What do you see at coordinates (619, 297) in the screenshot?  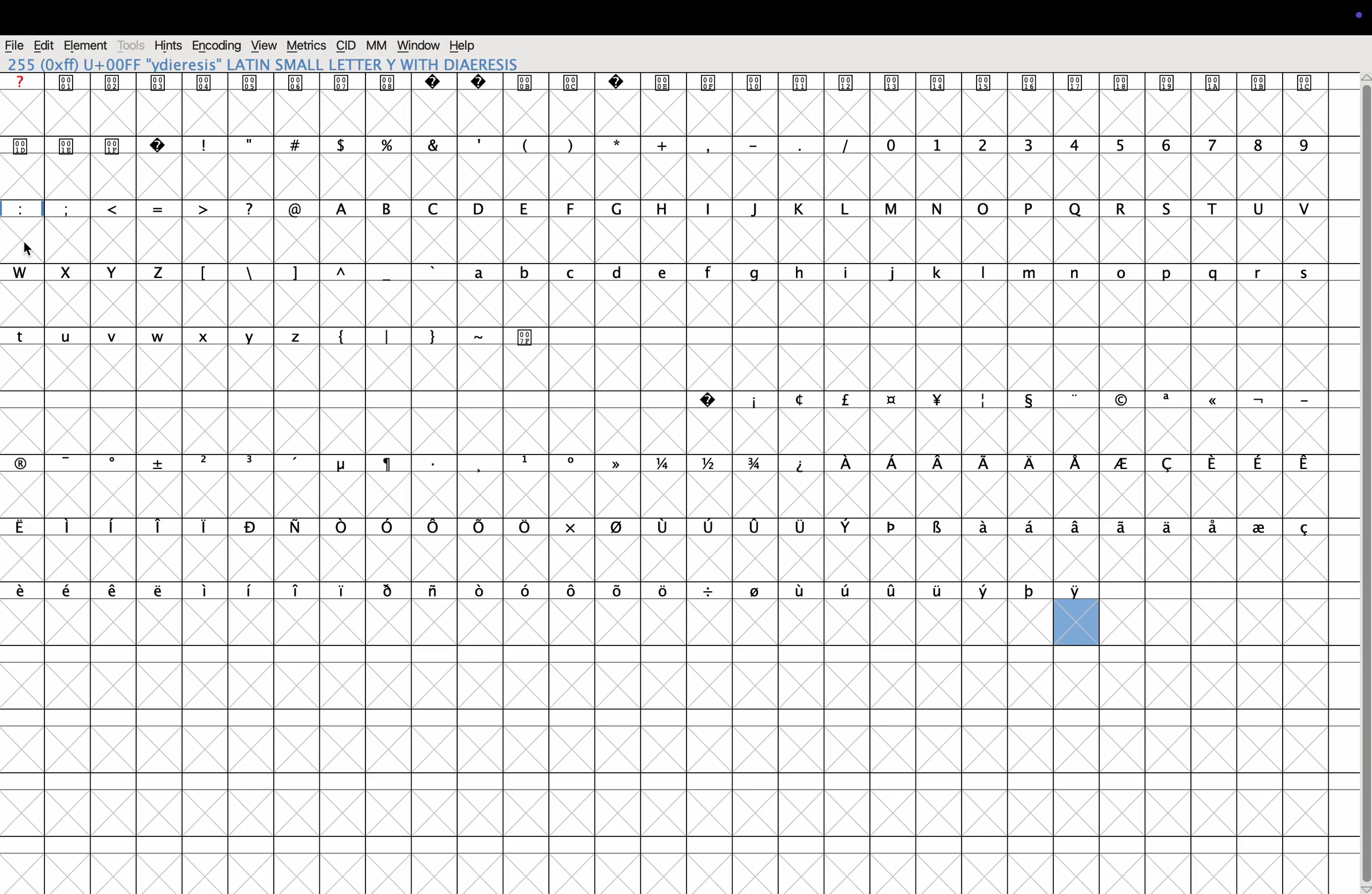 I see `d` at bounding box center [619, 297].